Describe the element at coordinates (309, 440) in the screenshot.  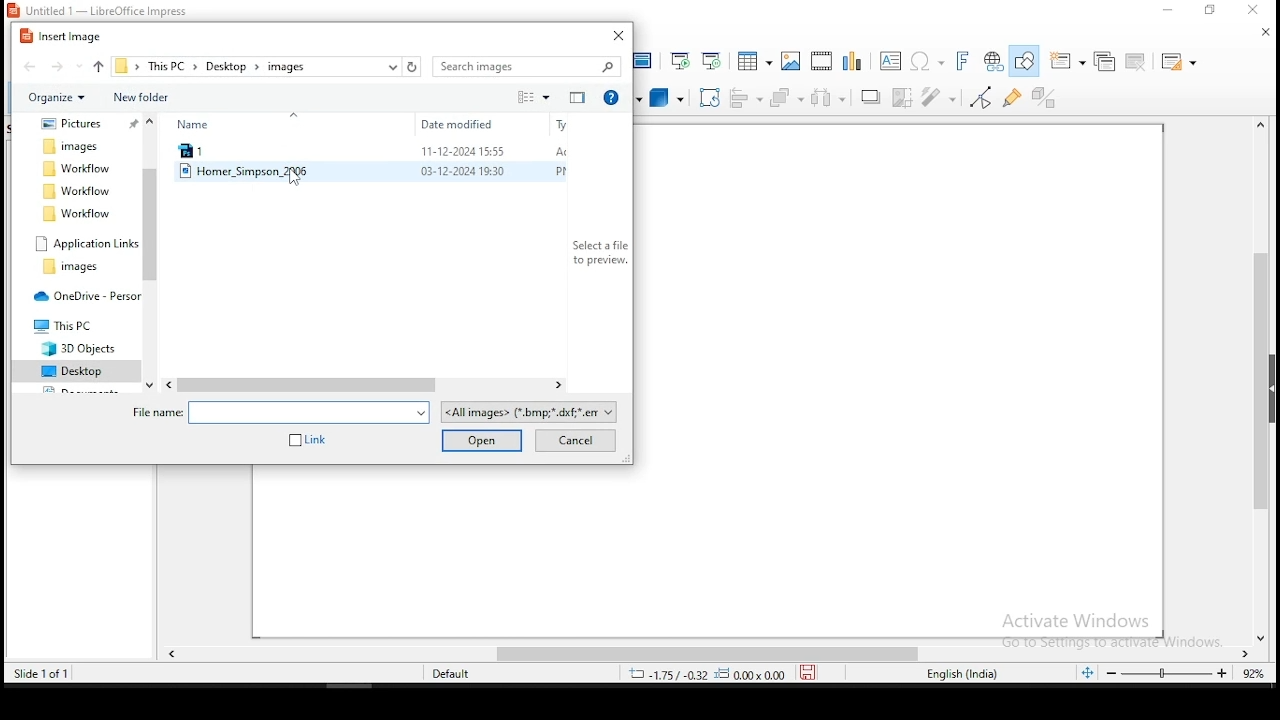
I see `link` at that location.